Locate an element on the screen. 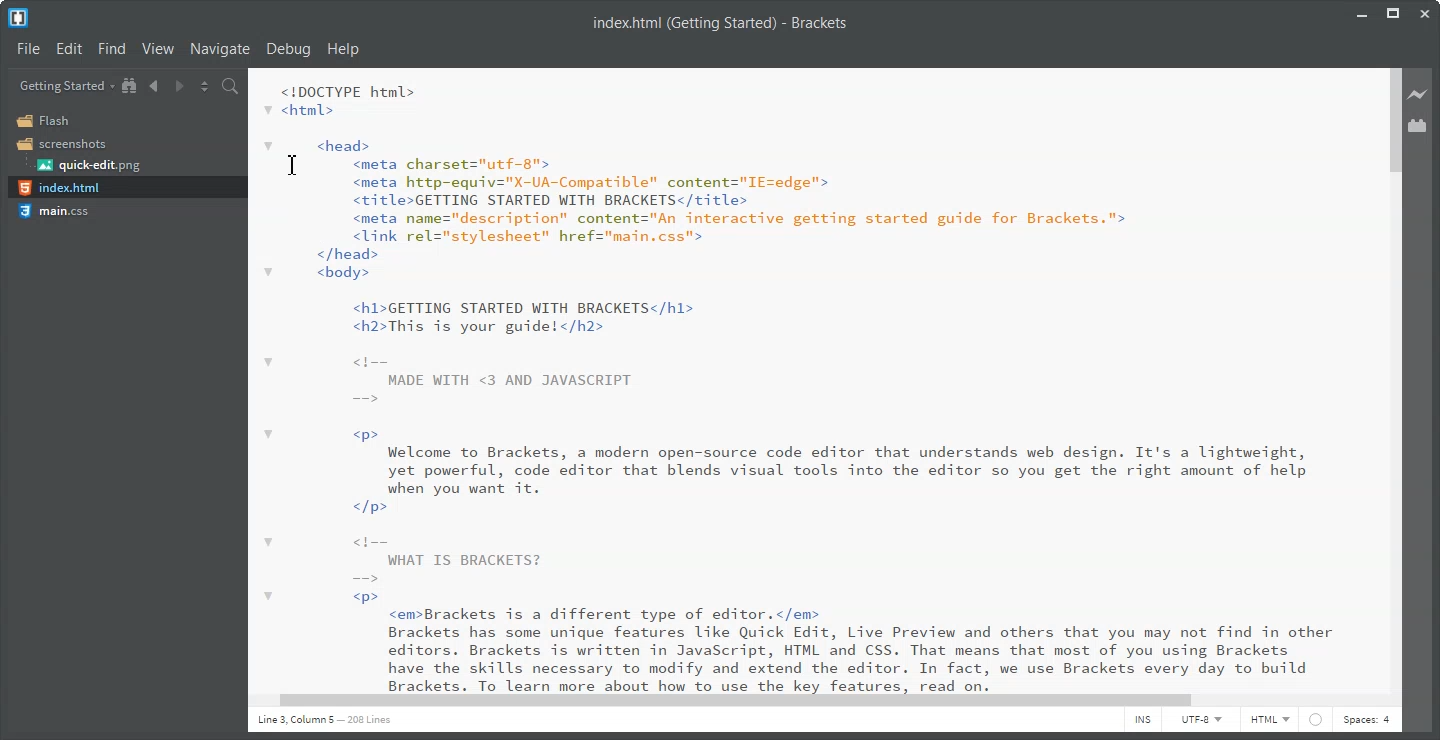  Vertical Scroll Bar is located at coordinates (1394, 381).